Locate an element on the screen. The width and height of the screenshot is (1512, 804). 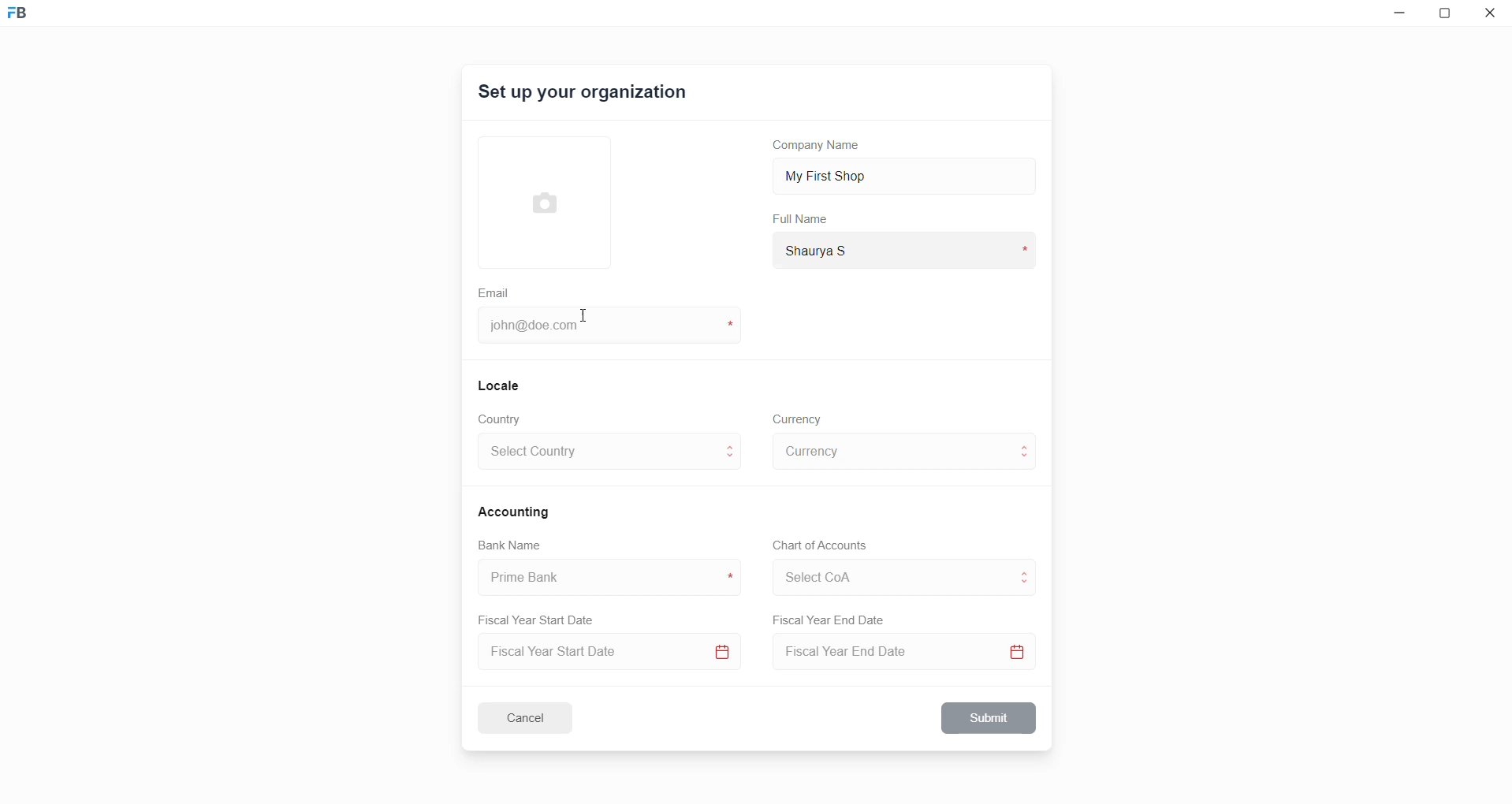
select currency is located at coordinates (891, 450).